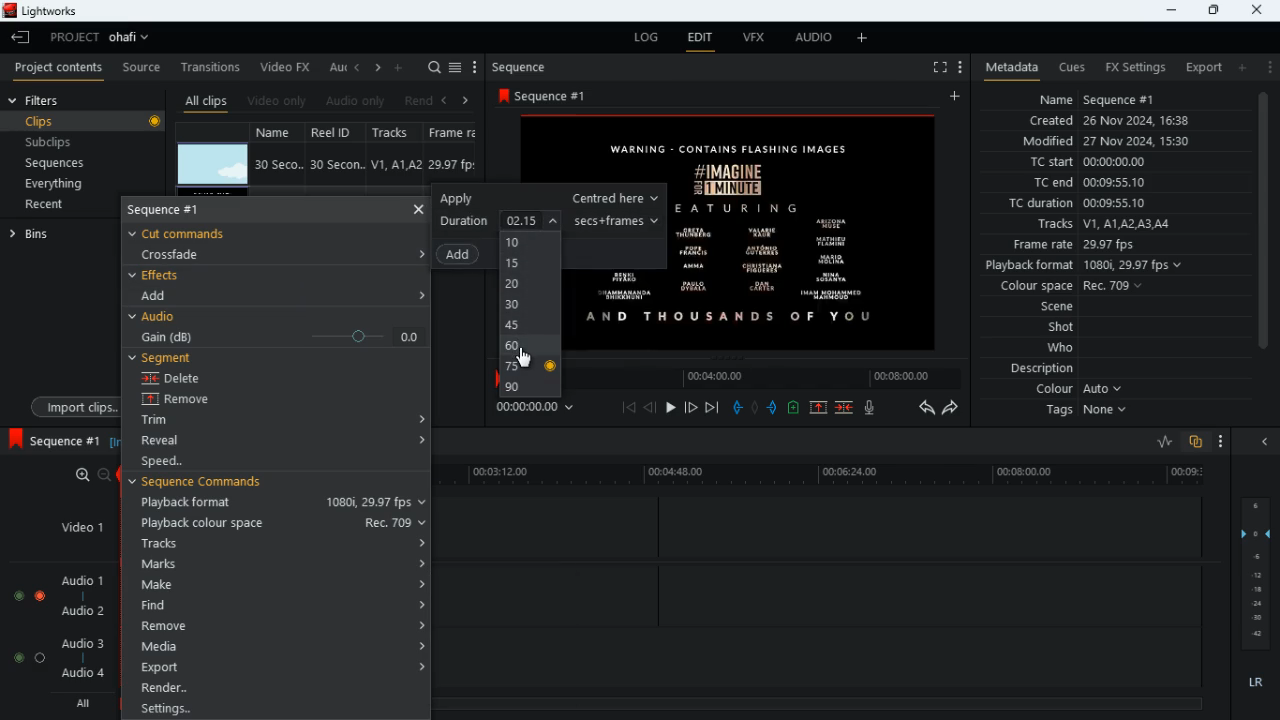 The image size is (1280, 720). I want to click on speed, so click(184, 462).